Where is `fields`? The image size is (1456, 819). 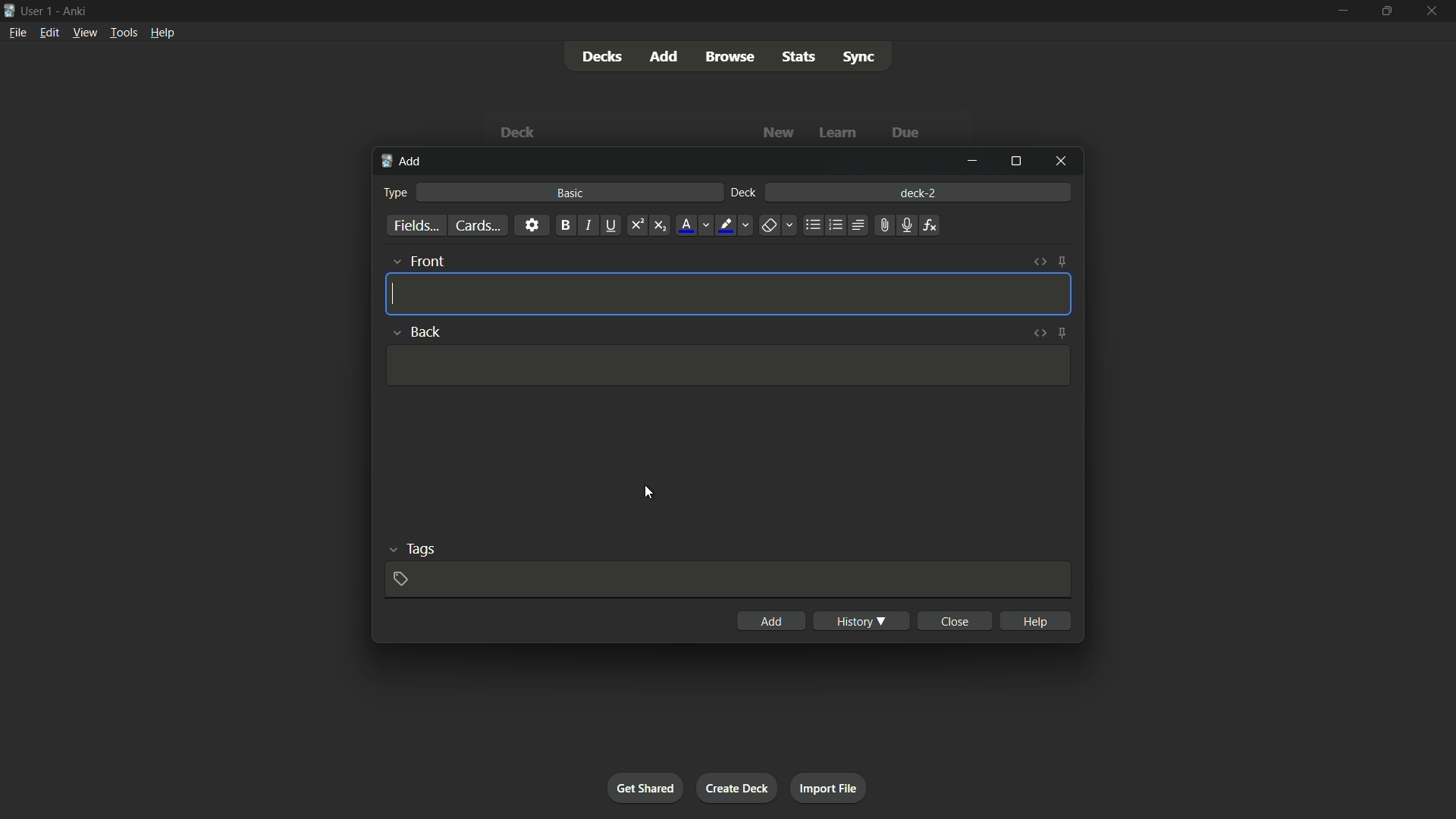 fields is located at coordinates (417, 226).